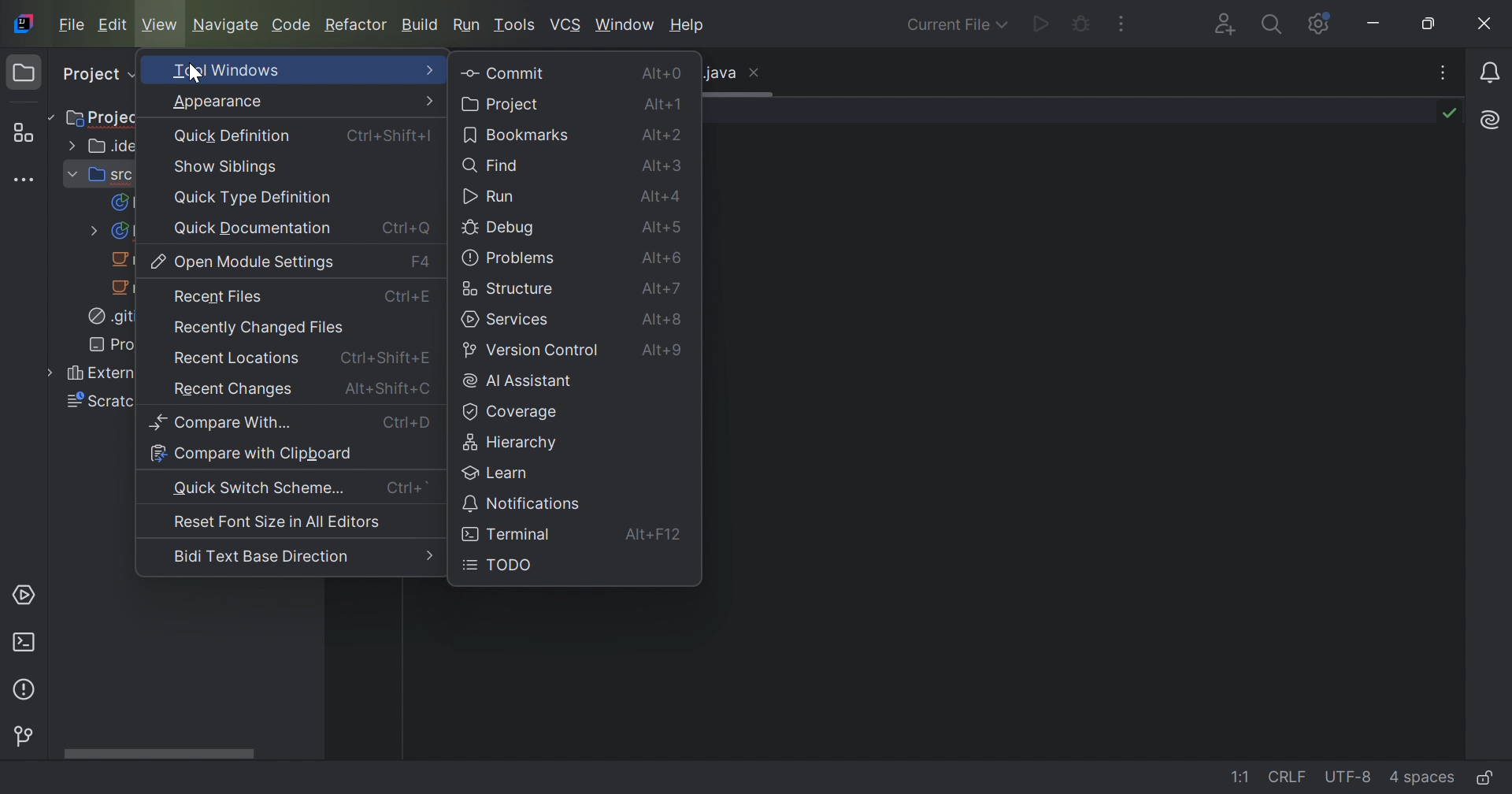  Describe the element at coordinates (93, 403) in the screenshot. I see `Scratches and Consoles` at that location.